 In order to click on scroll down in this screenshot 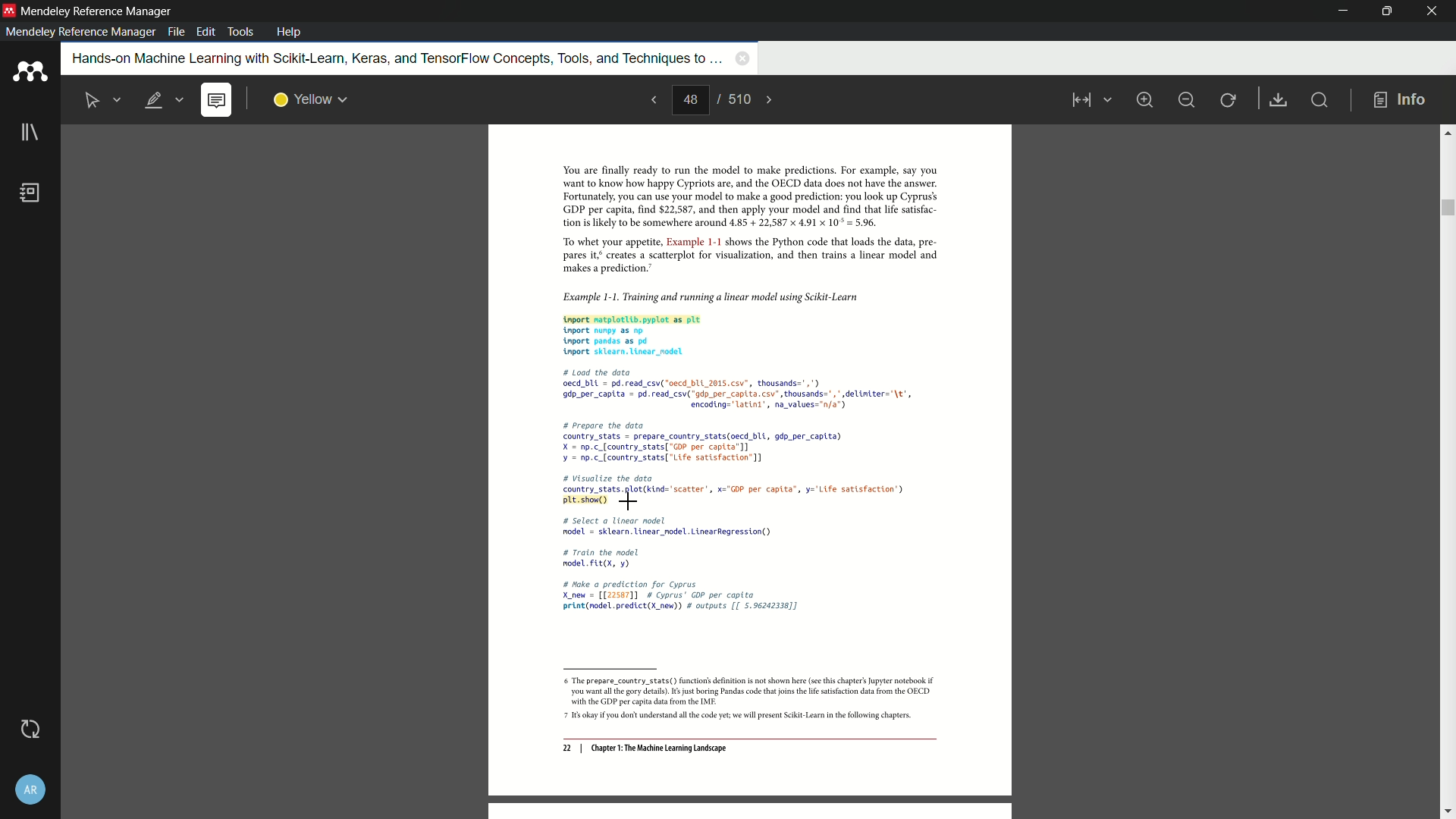, I will do `click(1447, 812)`.